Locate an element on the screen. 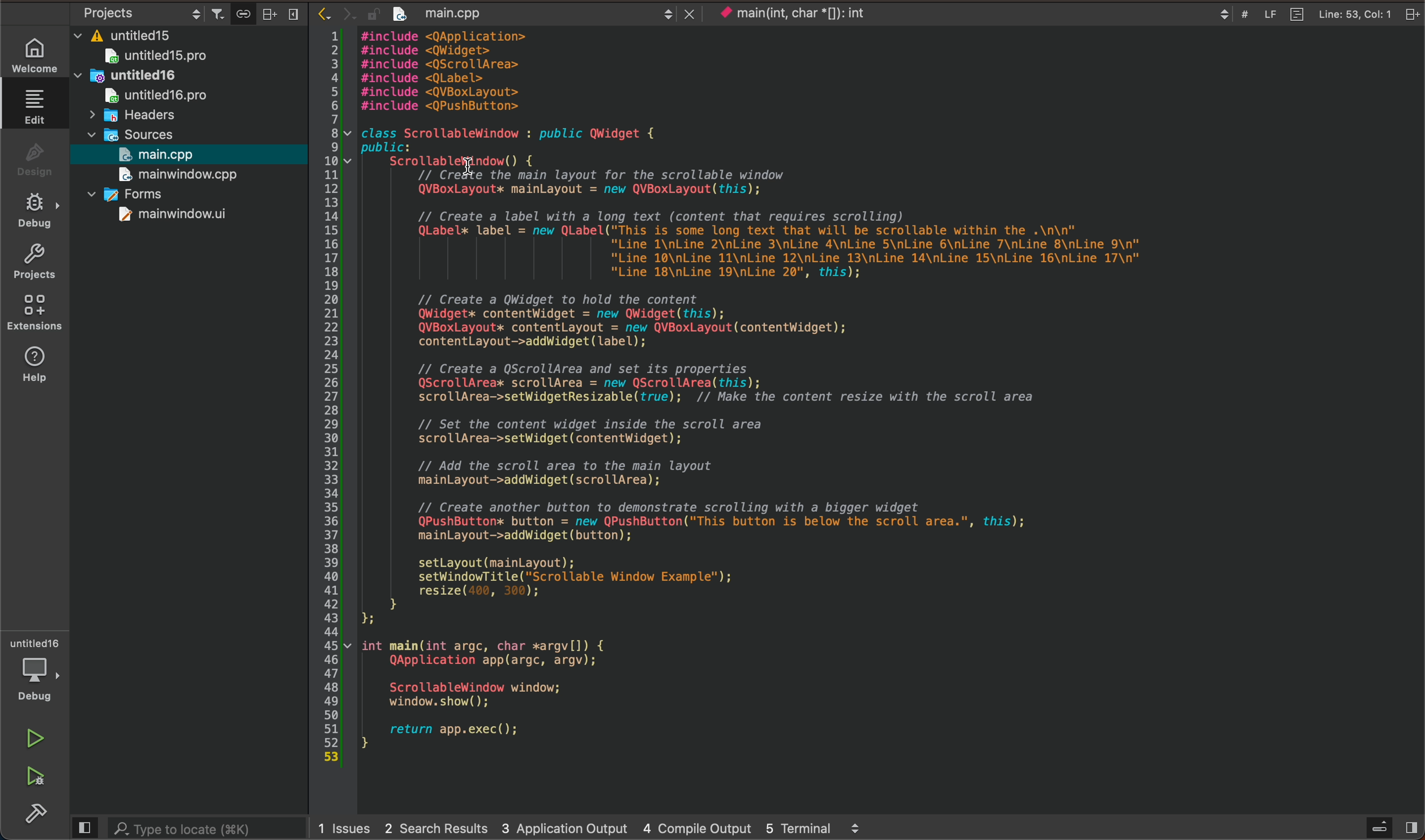  after save is located at coordinates (545, 12).